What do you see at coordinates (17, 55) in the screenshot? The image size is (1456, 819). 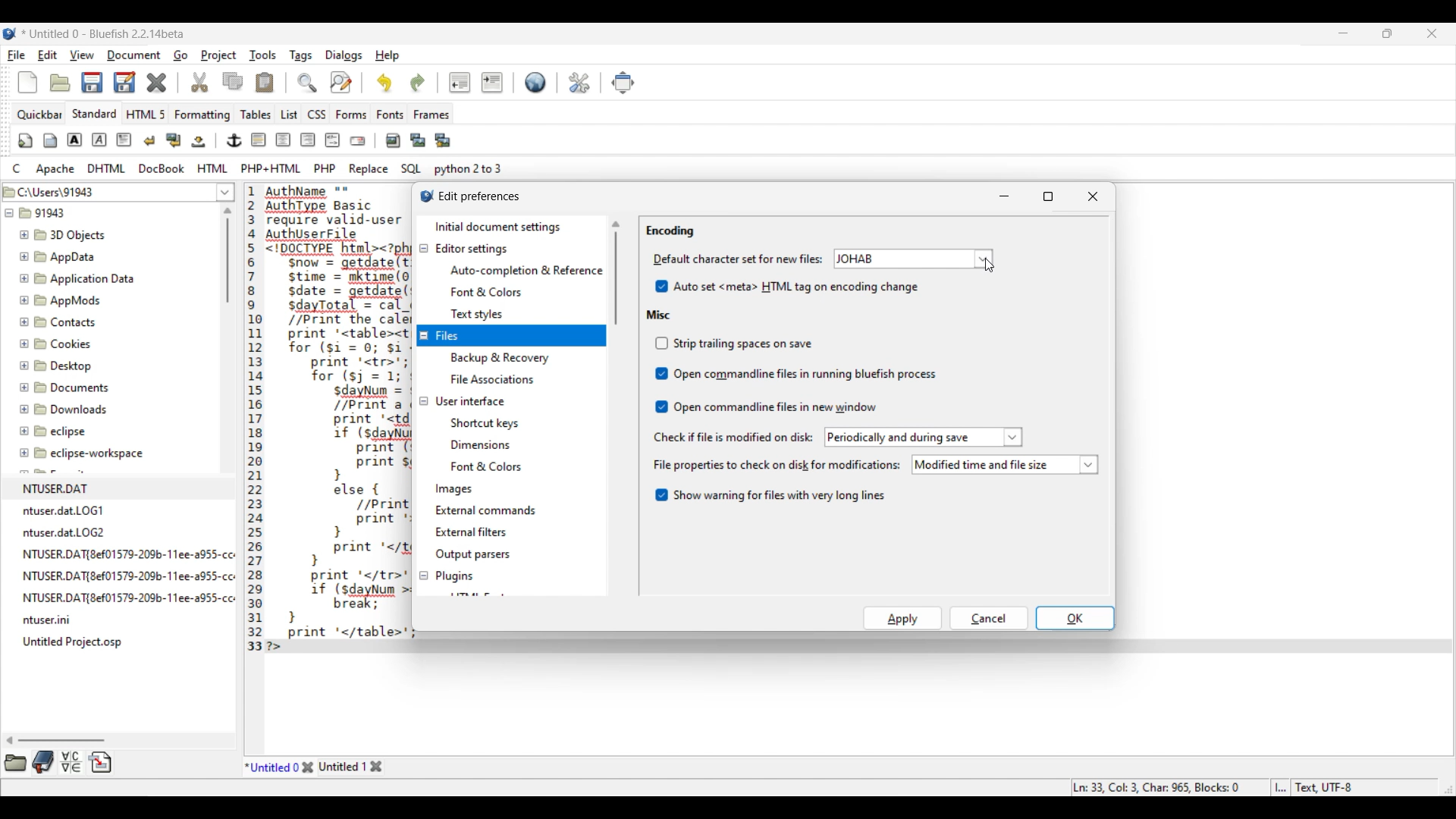 I see `File menu` at bounding box center [17, 55].